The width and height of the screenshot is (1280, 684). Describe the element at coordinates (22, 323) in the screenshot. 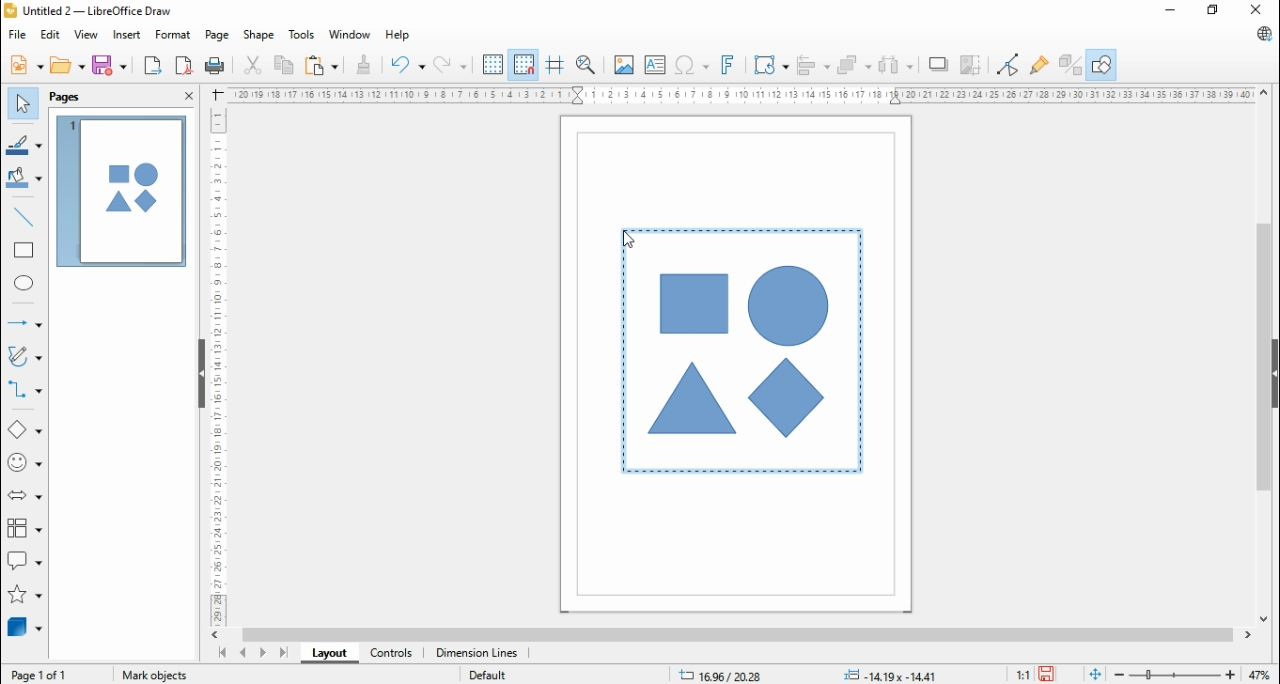

I see `lines and arrows` at that location.